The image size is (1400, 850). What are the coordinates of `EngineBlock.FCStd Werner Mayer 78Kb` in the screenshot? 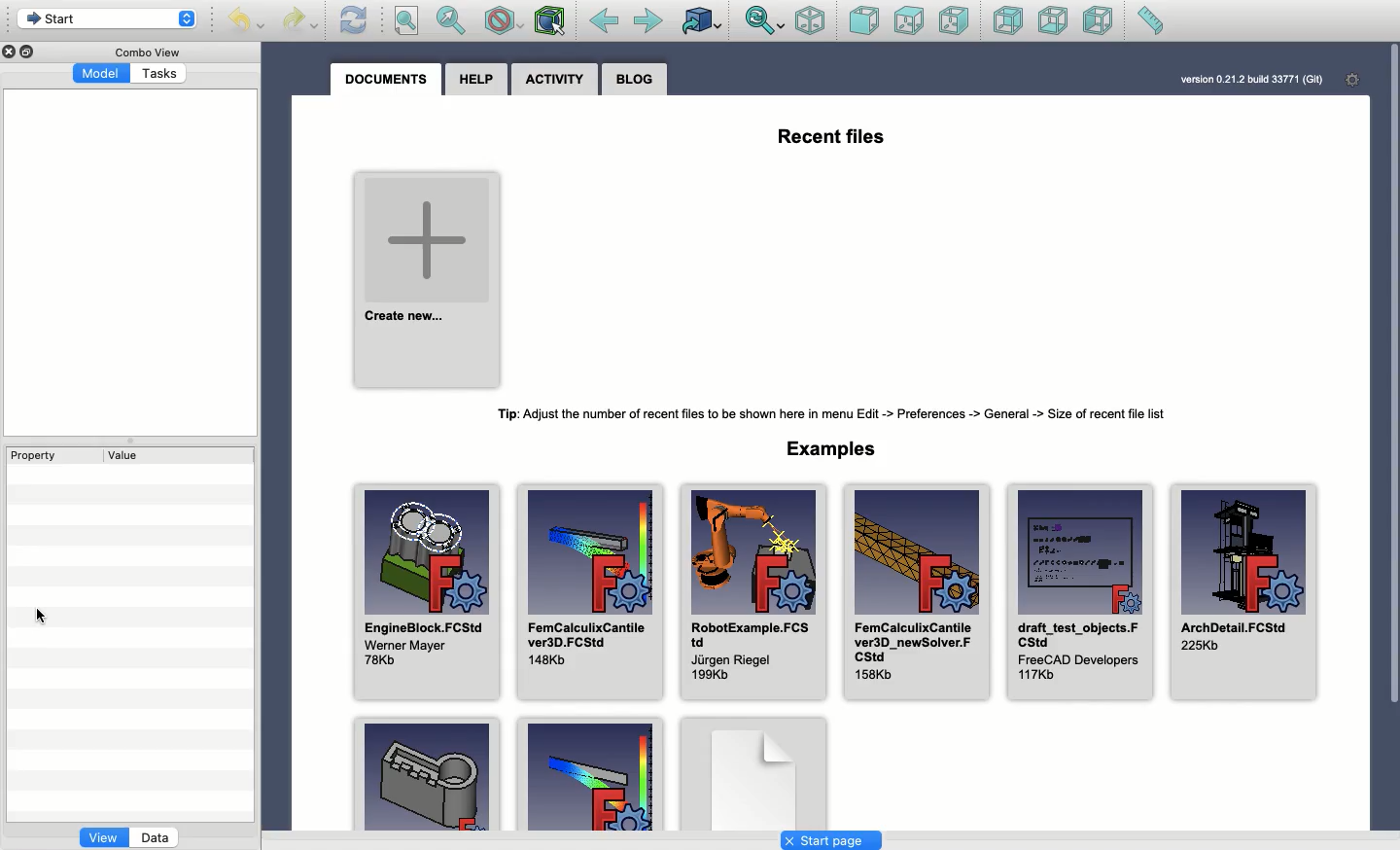 It's located at (429, 594).